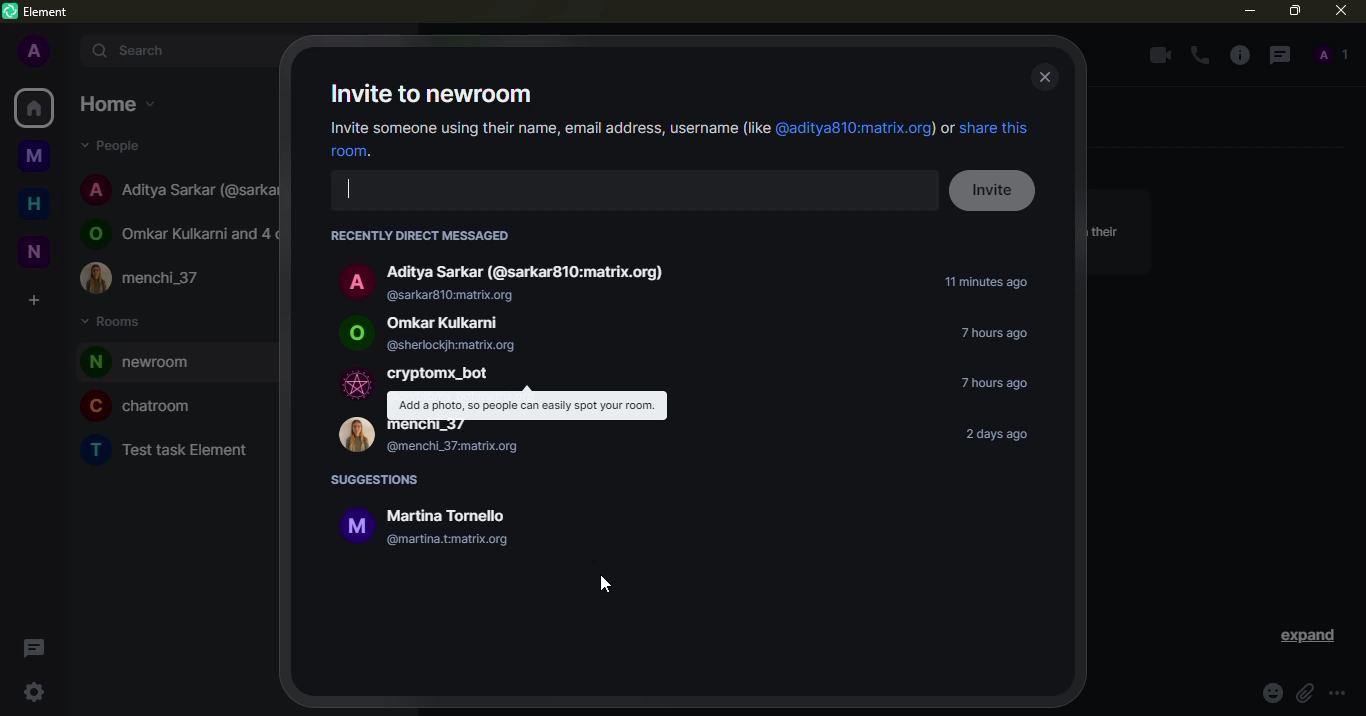  I want to click on myspace, so click(36, 158).